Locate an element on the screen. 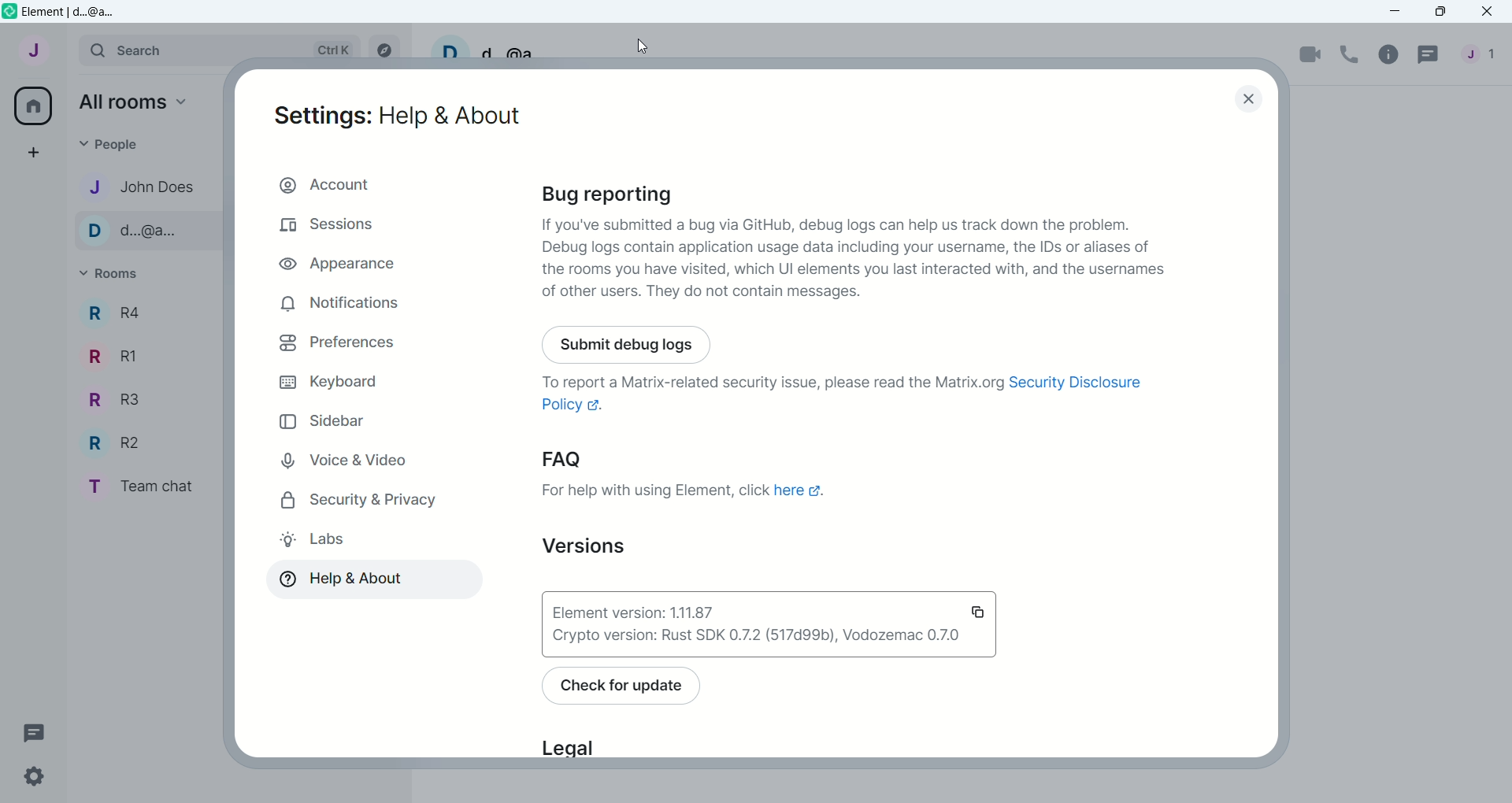 This screenshot has height=803, width=1512. Legal is located at coordinates (580, 743).